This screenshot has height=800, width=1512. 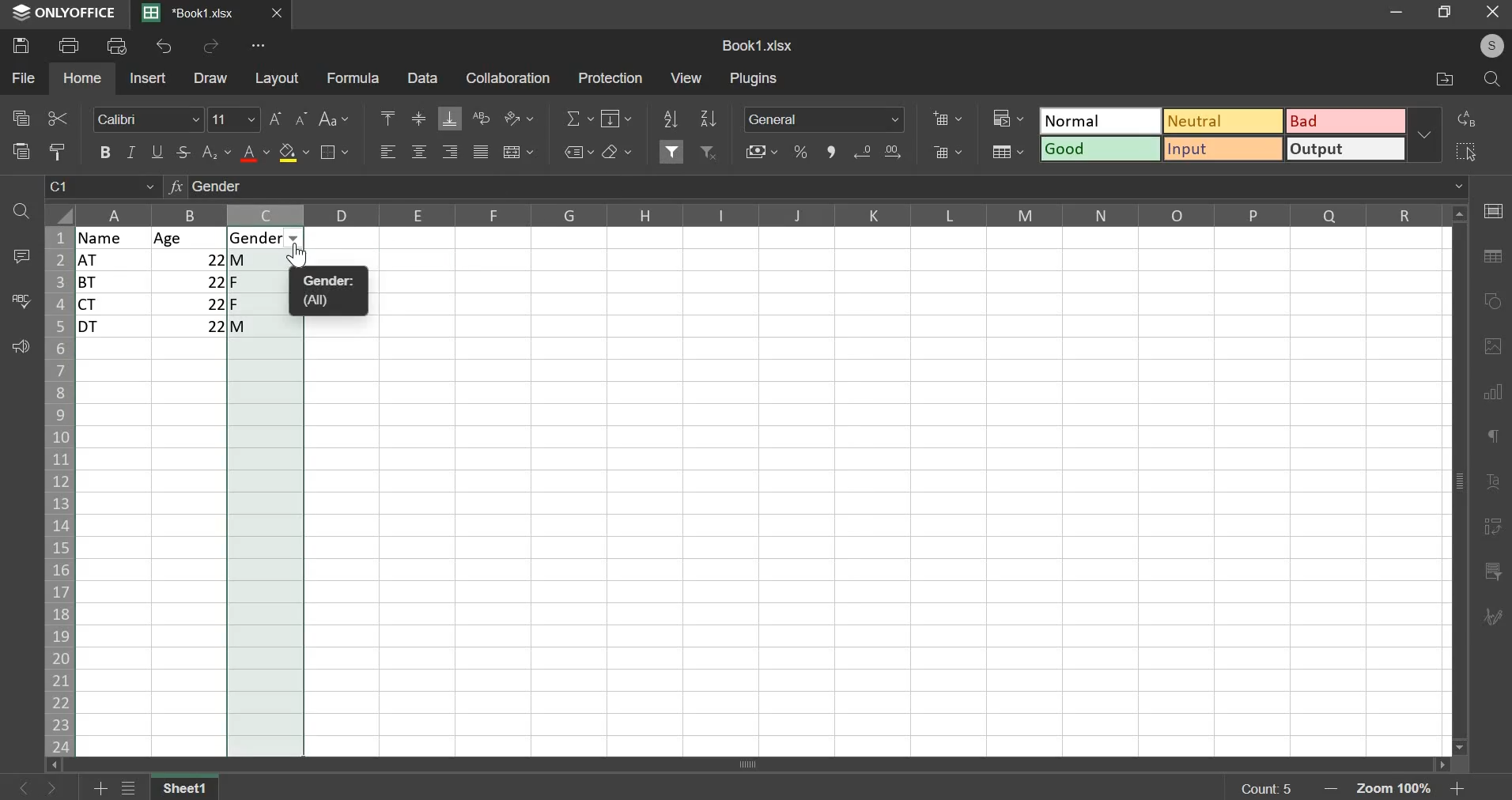 I want to click on spell check, so click(x=18, y=300).